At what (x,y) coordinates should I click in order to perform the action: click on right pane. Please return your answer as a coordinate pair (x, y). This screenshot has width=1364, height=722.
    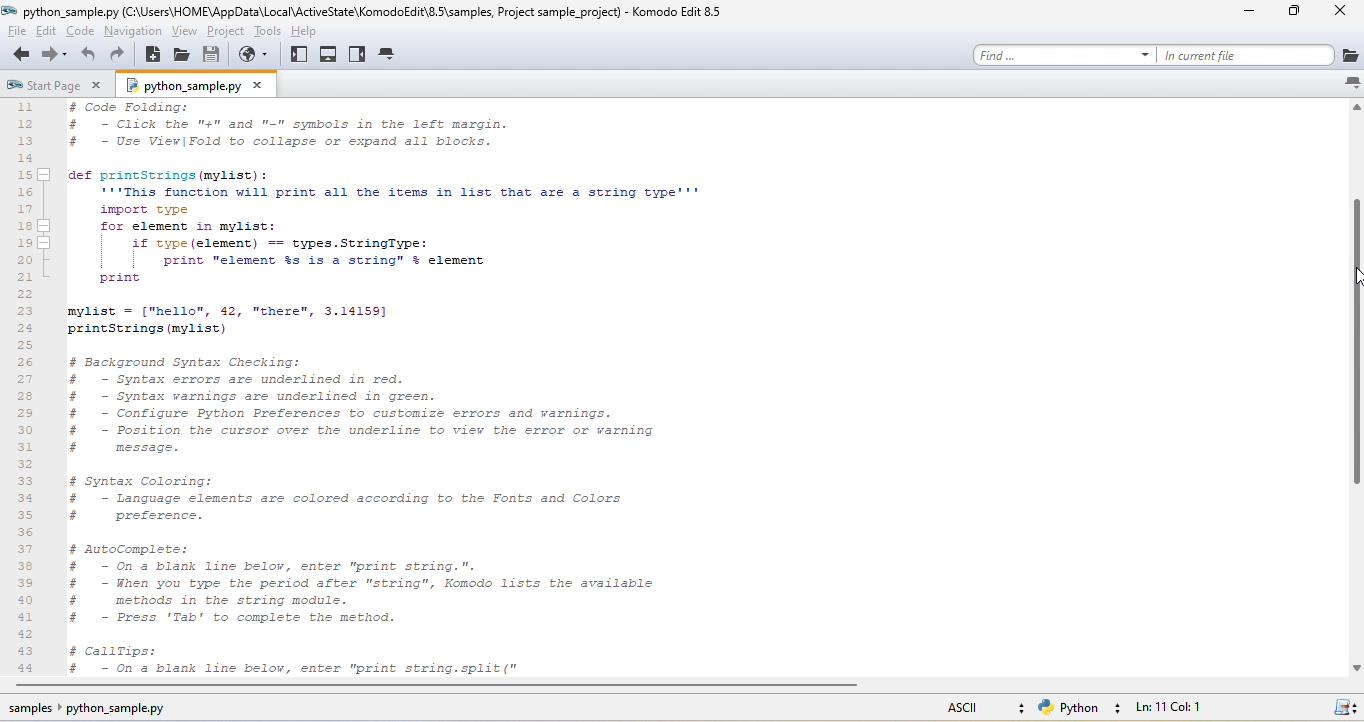
    Looking at the image, I should click on (358, 55).